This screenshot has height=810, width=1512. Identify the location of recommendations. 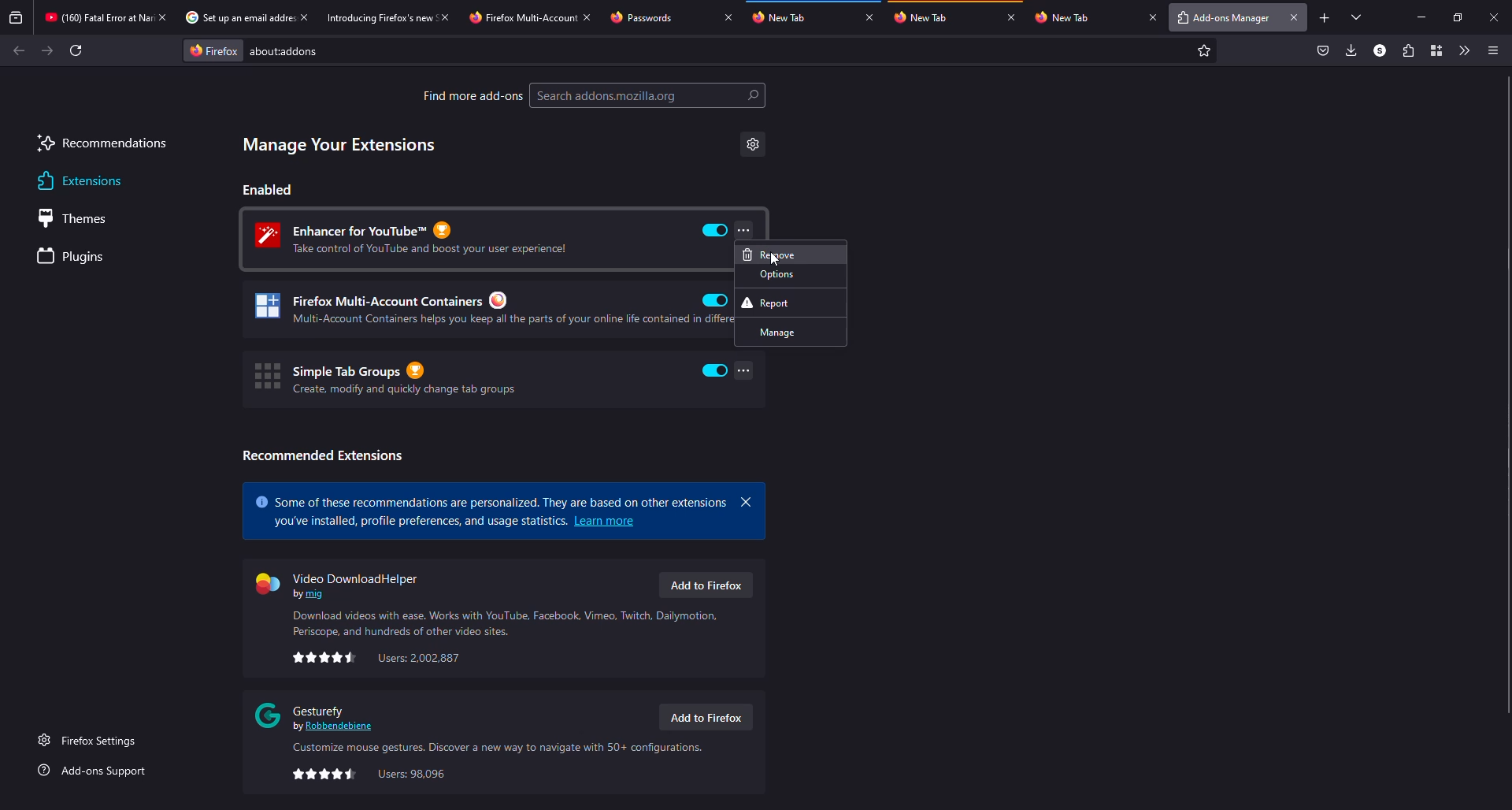
(102, 145).